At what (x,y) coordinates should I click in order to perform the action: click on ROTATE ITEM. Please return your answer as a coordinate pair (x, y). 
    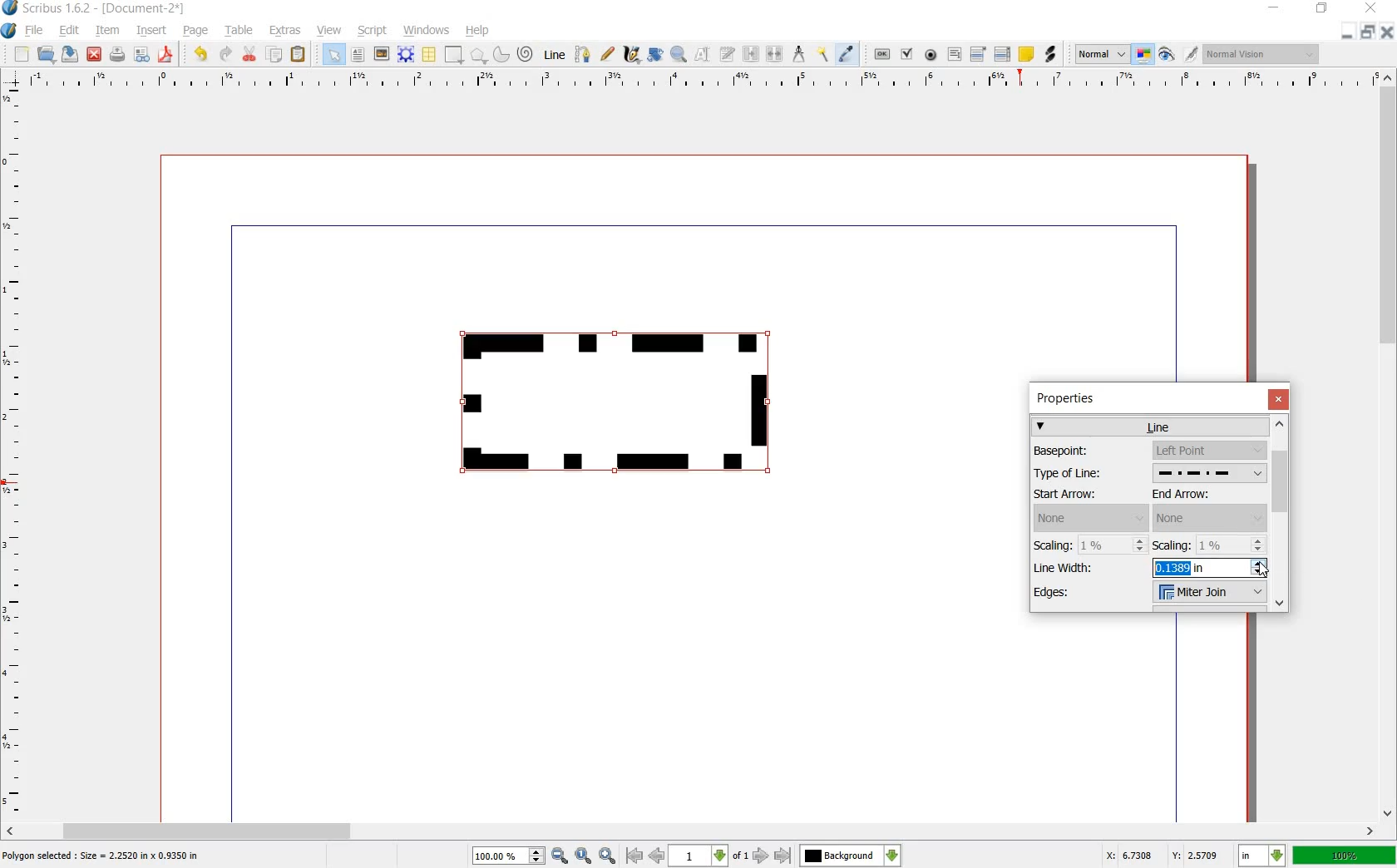
    Looking at the image, I should click on (656, 52).